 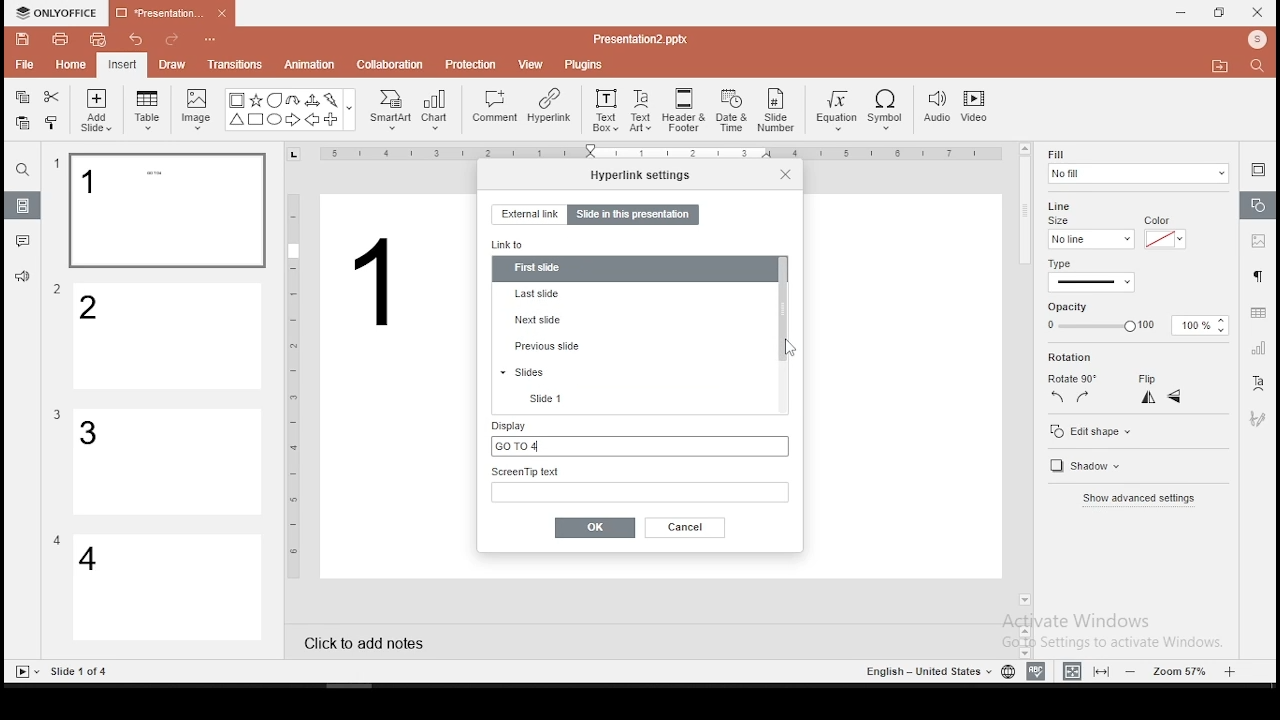 What do you see at coordinates (55, 125) in the screenshot?
I see `clone formatting` at bounding box center [55, 125].